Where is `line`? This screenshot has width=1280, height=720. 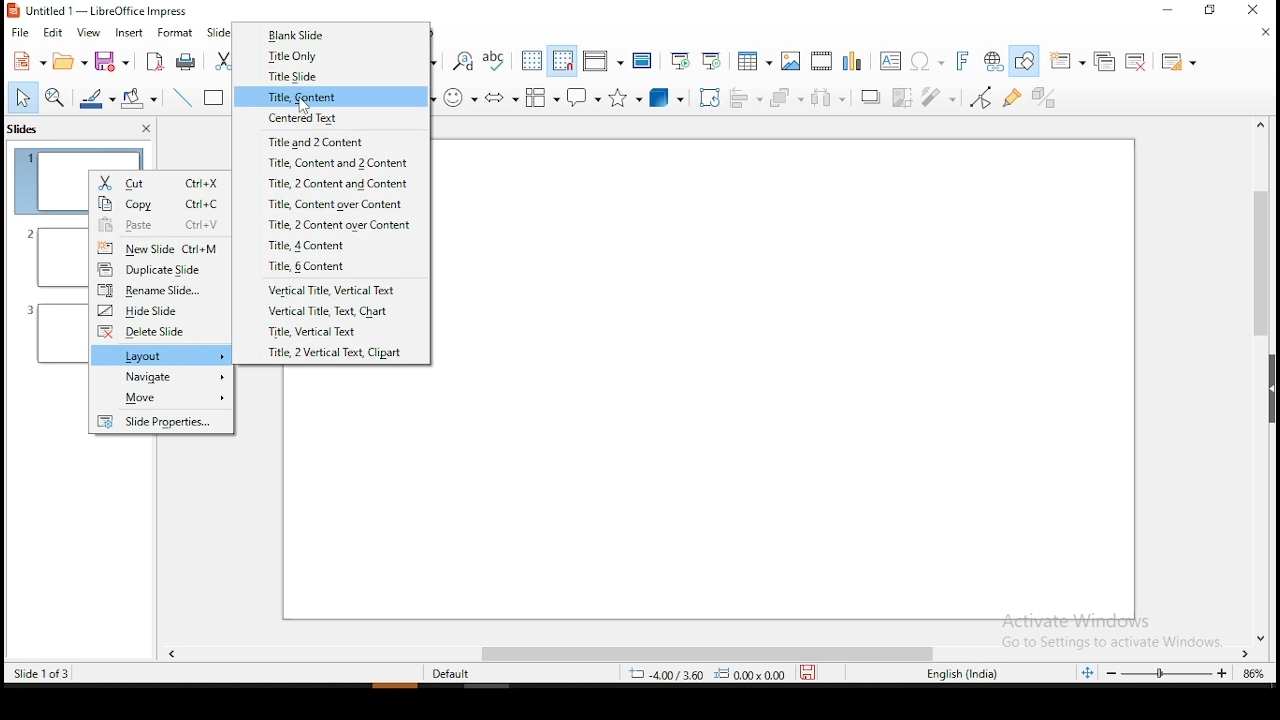 line is located at coordinates (185, 99).